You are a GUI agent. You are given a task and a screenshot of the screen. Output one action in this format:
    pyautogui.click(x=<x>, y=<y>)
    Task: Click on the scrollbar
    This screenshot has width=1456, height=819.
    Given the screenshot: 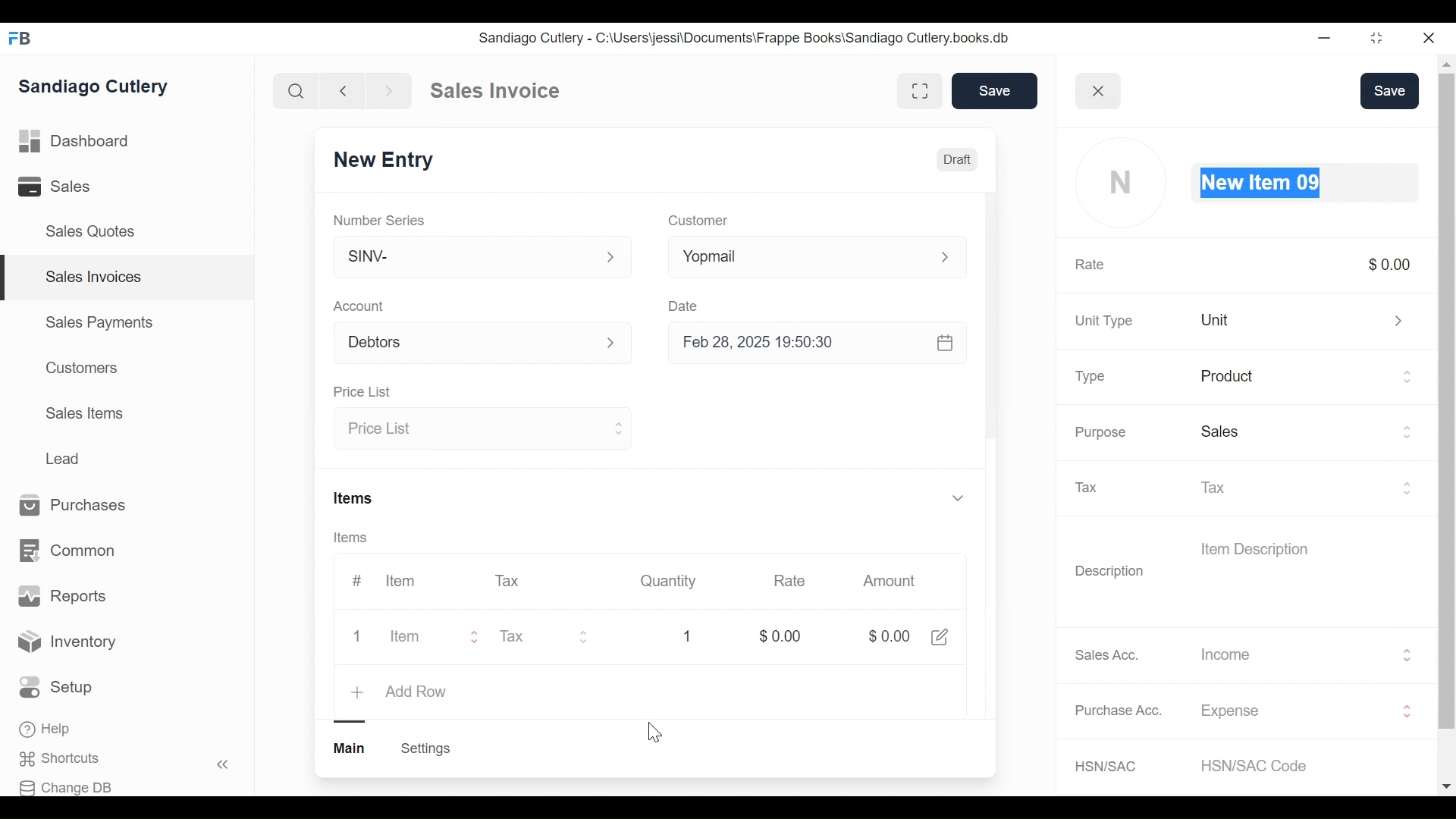 What is the action you would take?
    pyautogui.click(x=1445, y=400)
    